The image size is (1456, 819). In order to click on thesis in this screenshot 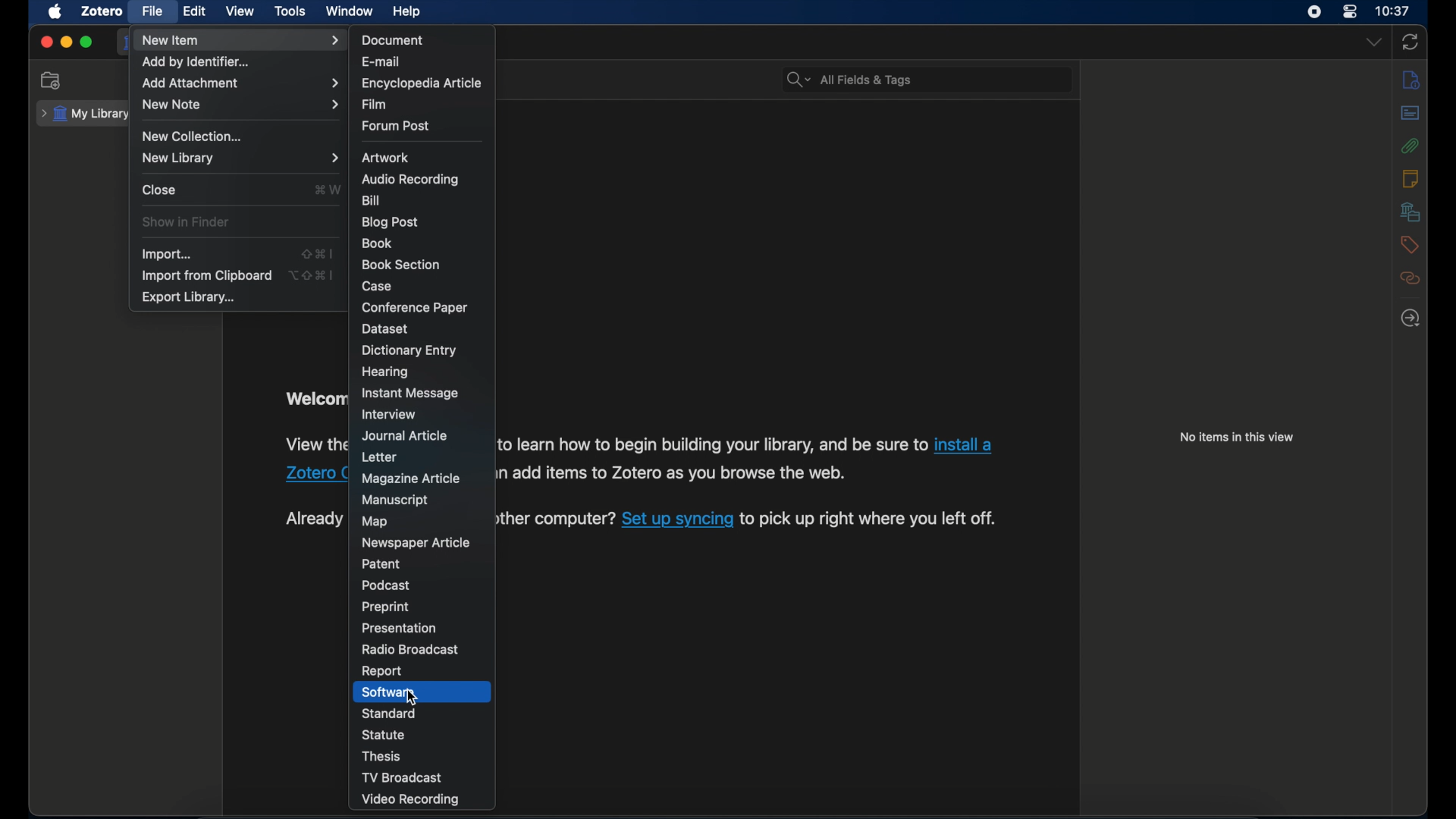, I will do `click(381, 757)`.